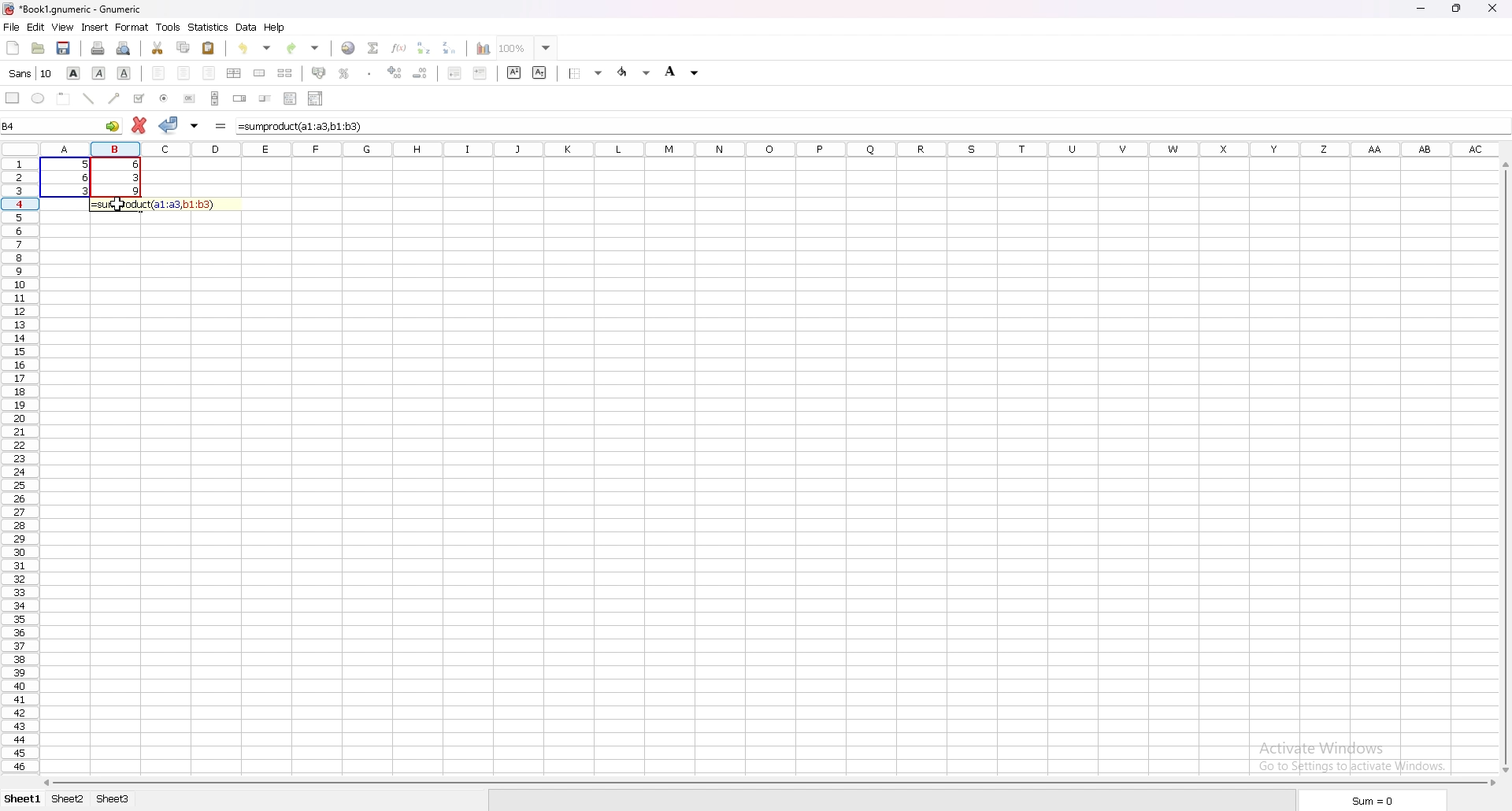  I want to click on percentage, so click(343, 72).